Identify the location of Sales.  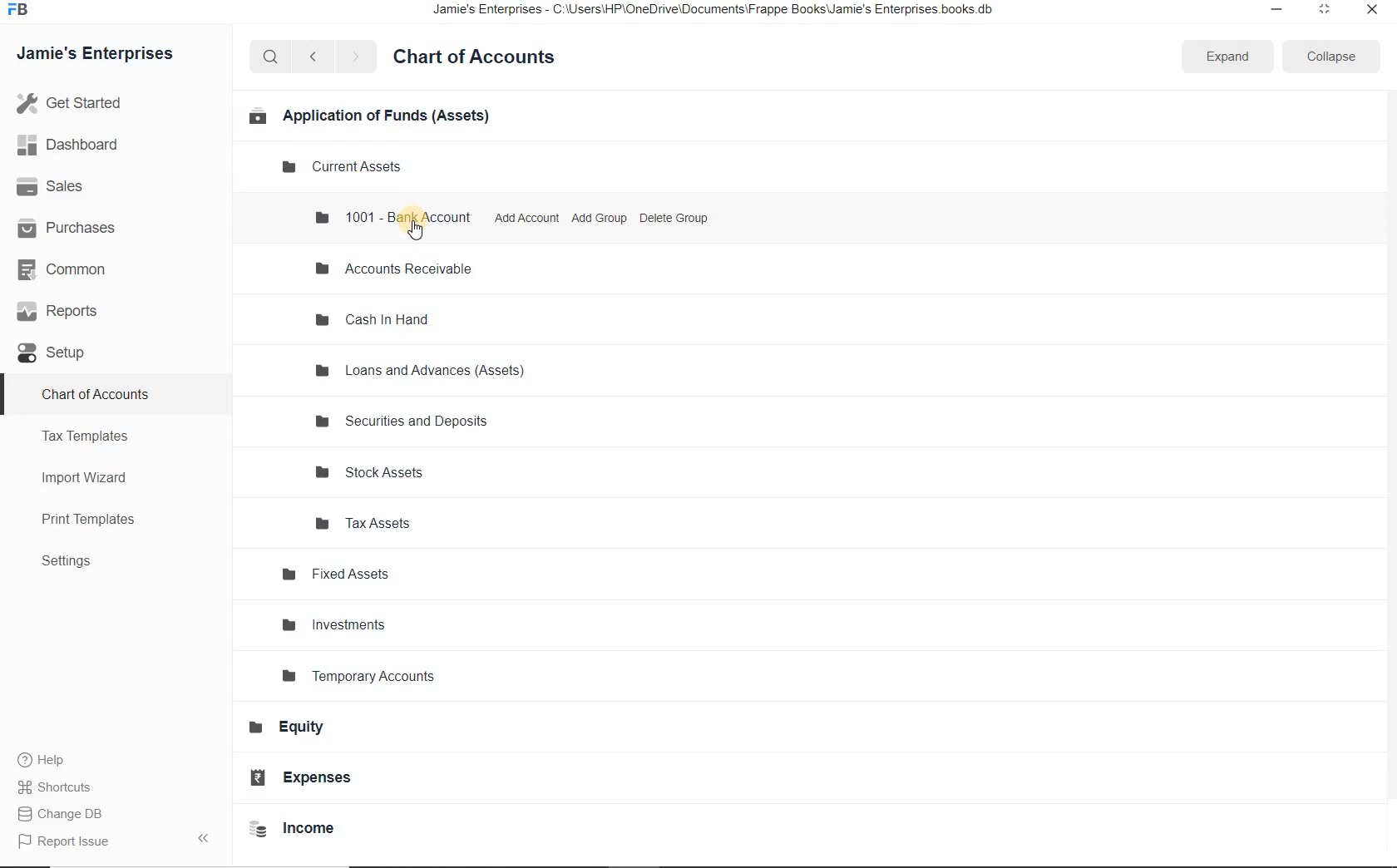
(72, 187).